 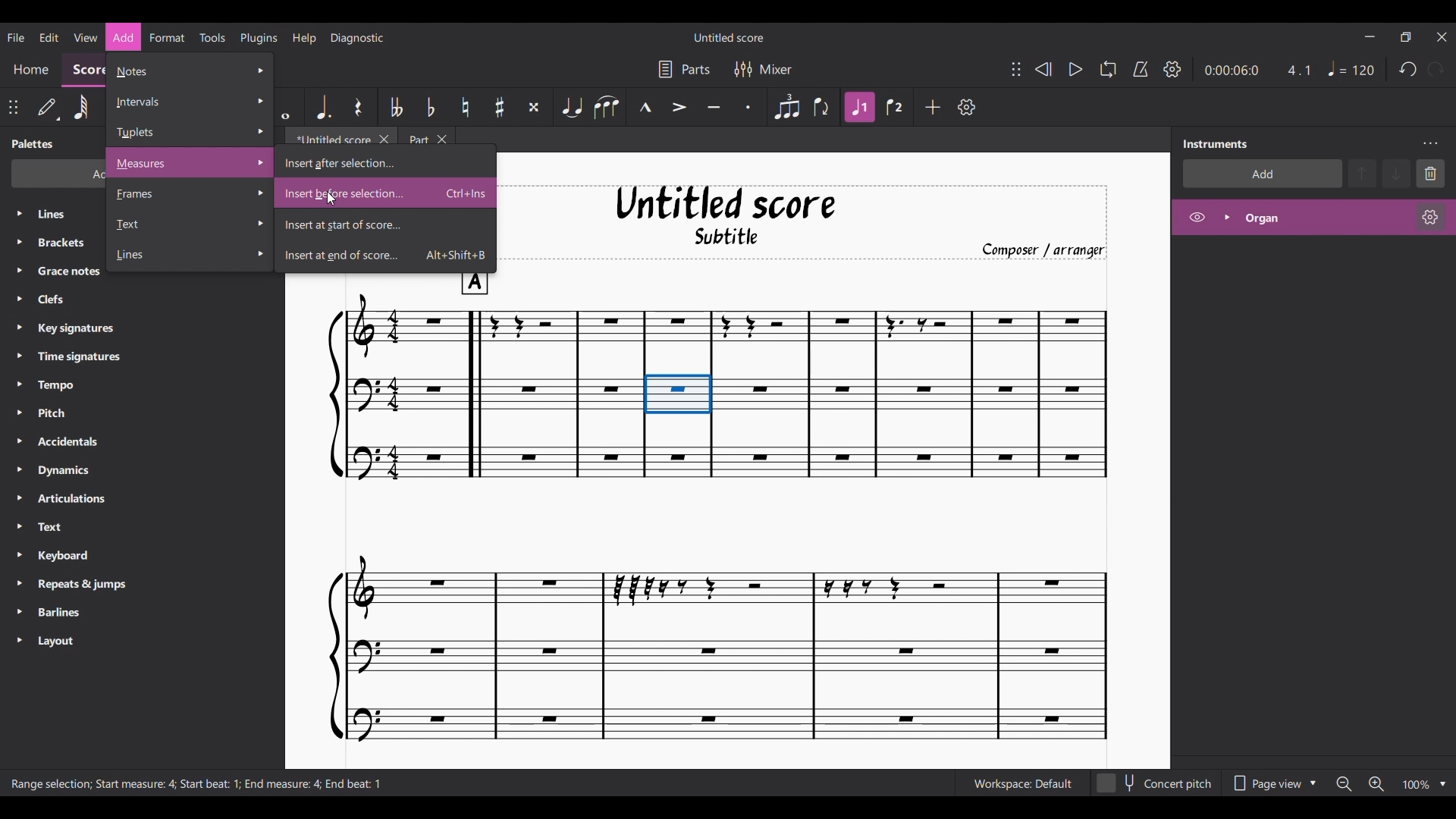 What do you see at coordinates (124, 38) in the screenshot?
I see `Add menu highlighted` at bounding box center [124, 38].